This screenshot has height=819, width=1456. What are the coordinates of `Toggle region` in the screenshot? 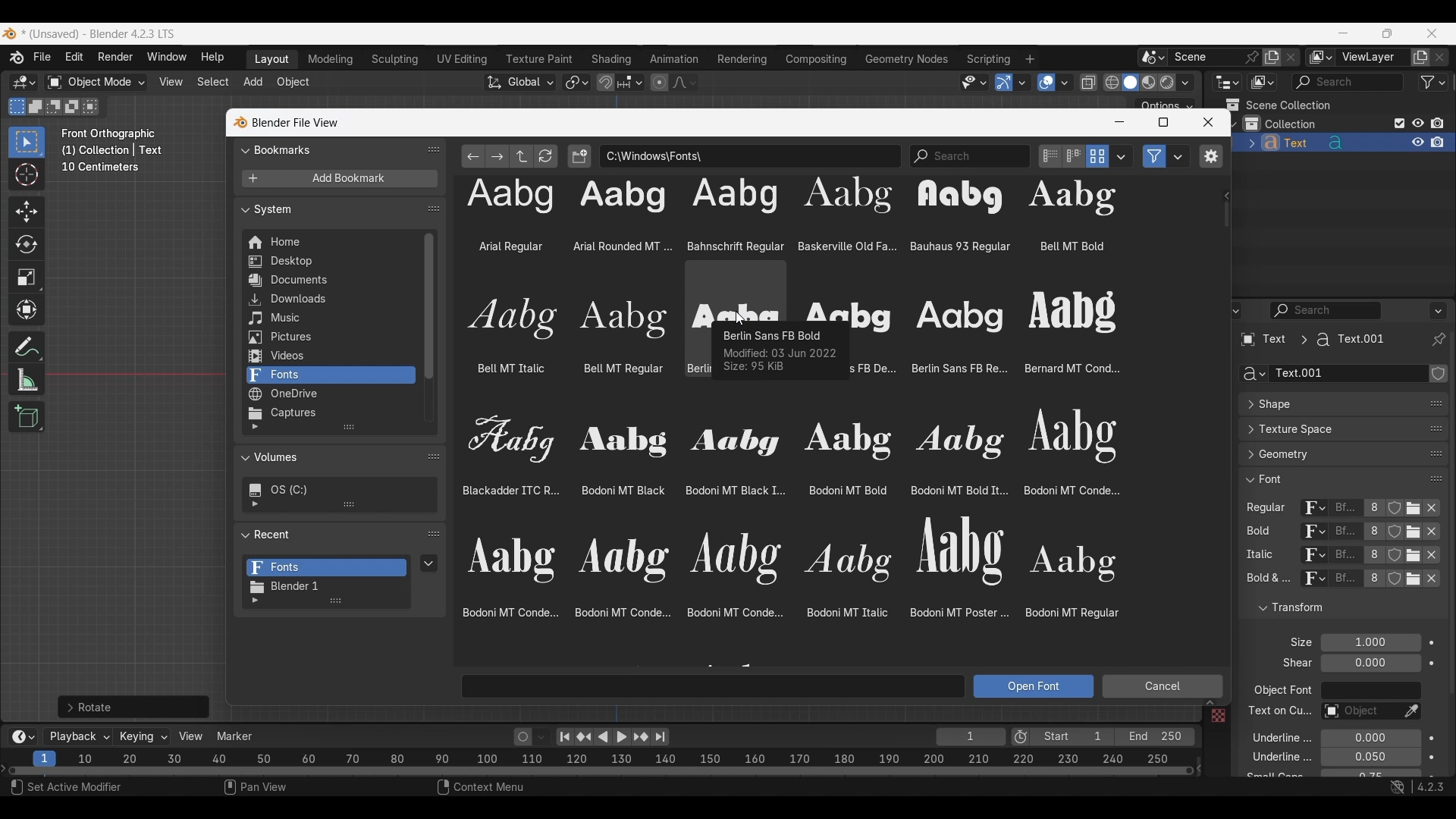 It's located at (1210, 156).